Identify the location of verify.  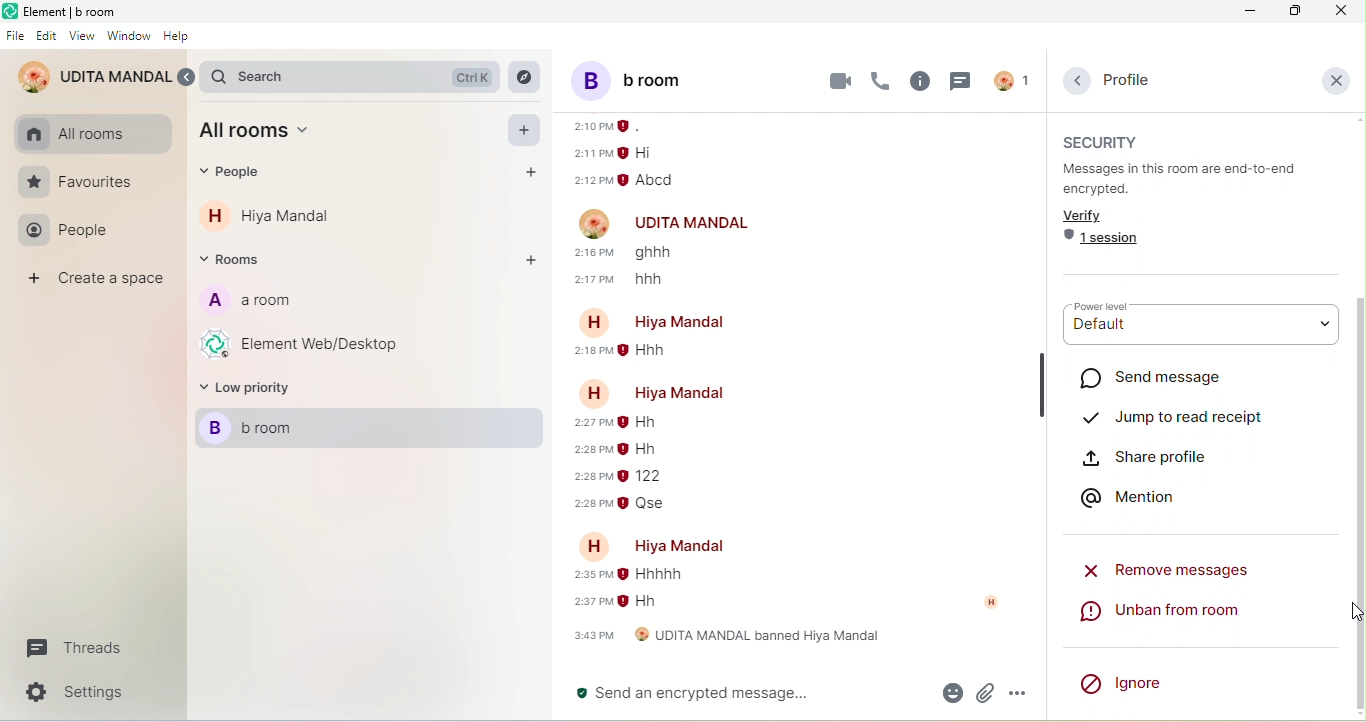
(1089, 216).